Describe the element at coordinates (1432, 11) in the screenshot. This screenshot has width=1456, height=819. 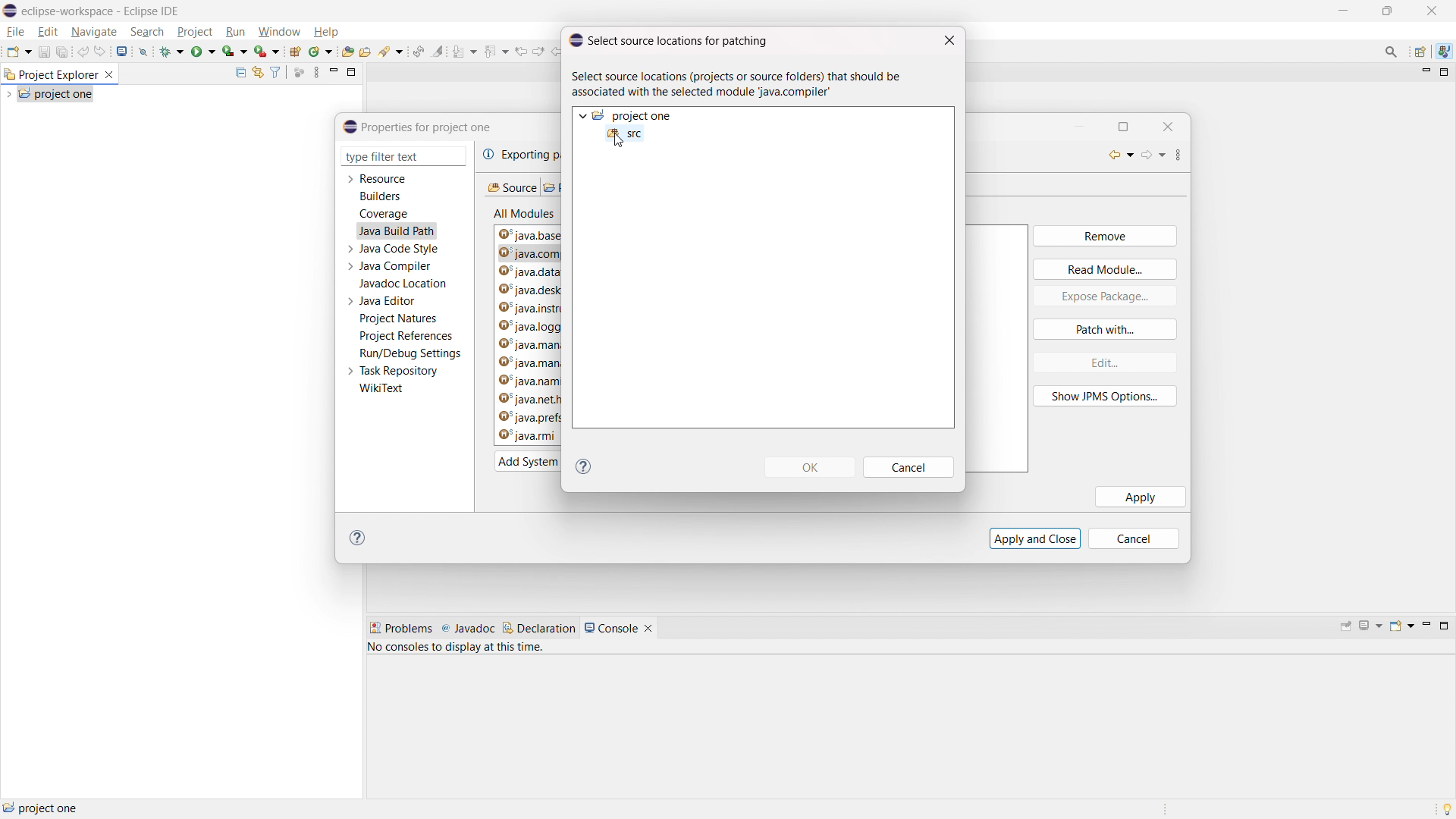
I see `close` at that location.